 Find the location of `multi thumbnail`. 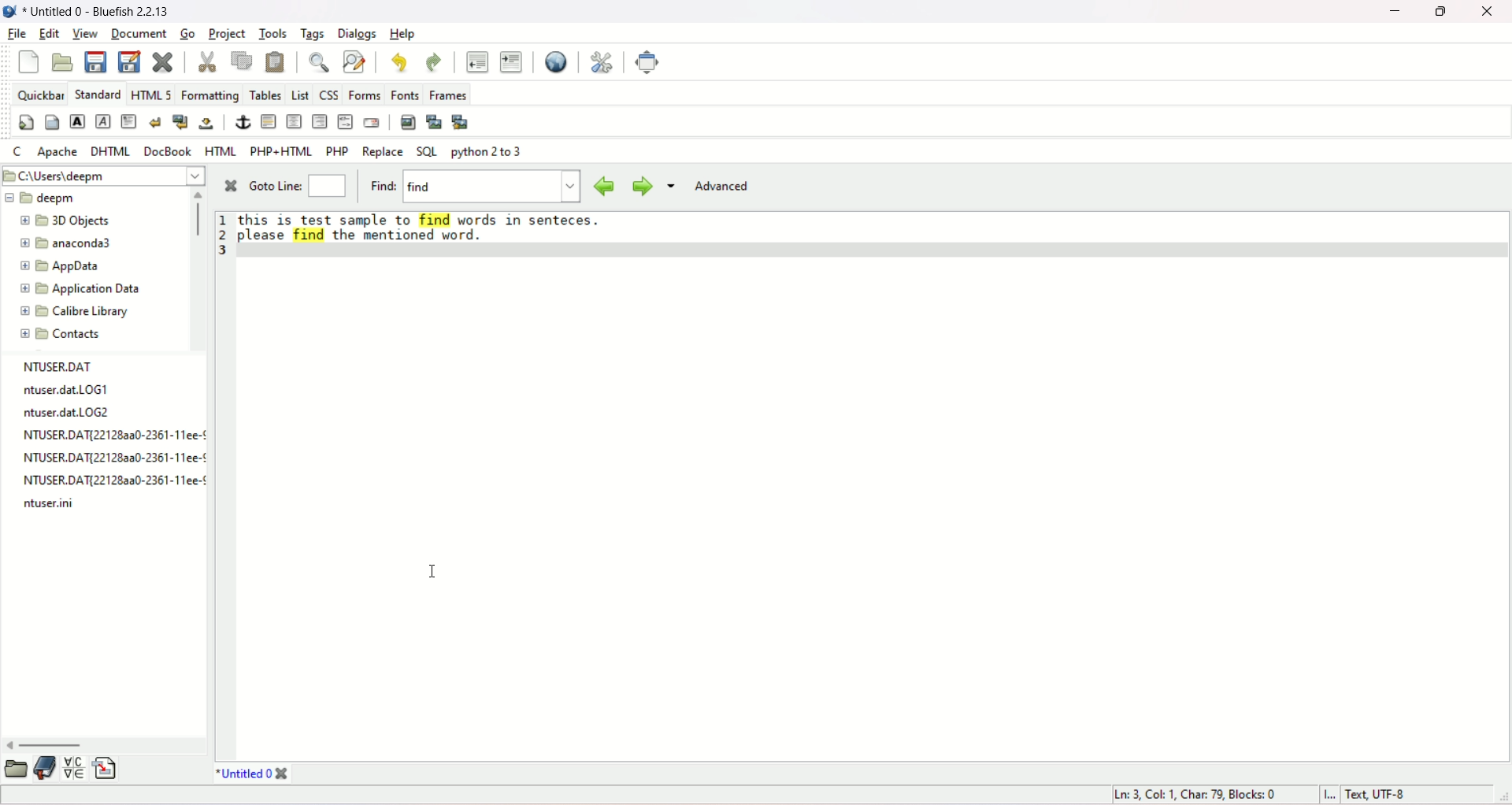

multi thumbnail is located at coordinates (460, 121).